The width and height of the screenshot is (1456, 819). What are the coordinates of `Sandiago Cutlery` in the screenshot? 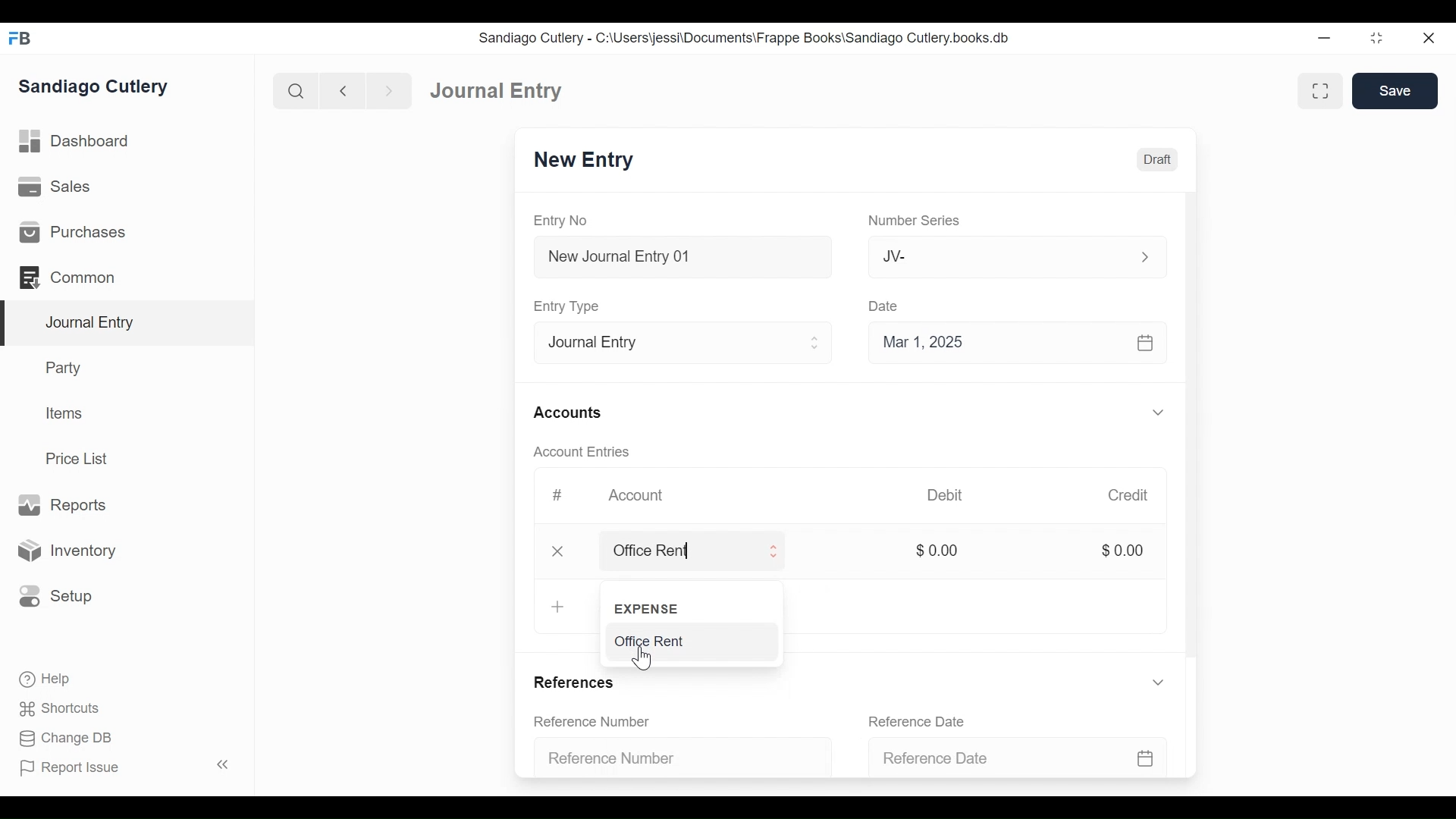 It's located at (102, 88).